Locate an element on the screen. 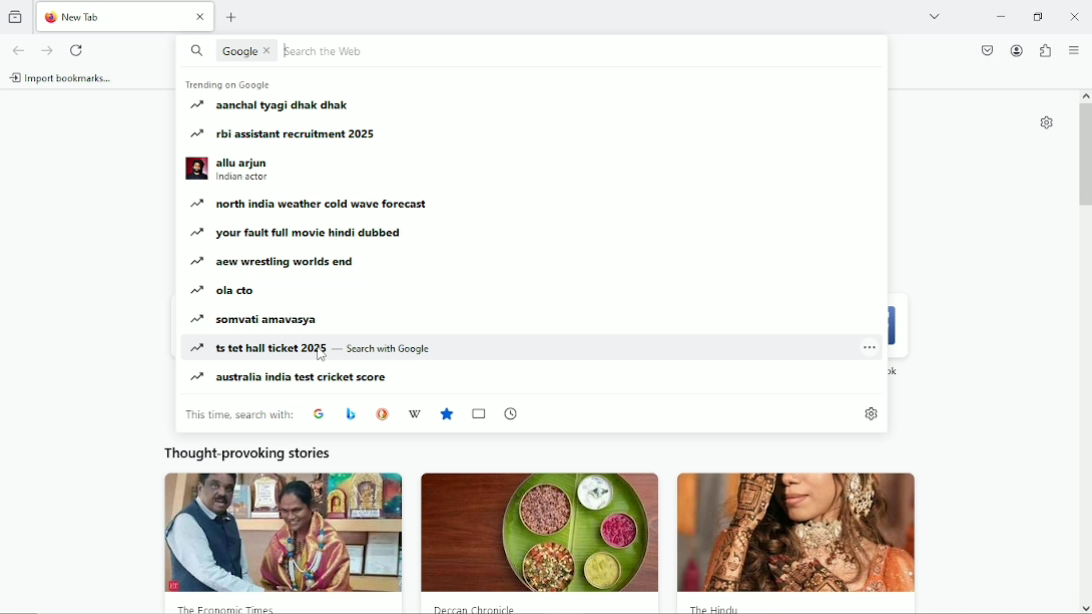 The image size is (1092, 614). google is located at coordinates (318, 412).